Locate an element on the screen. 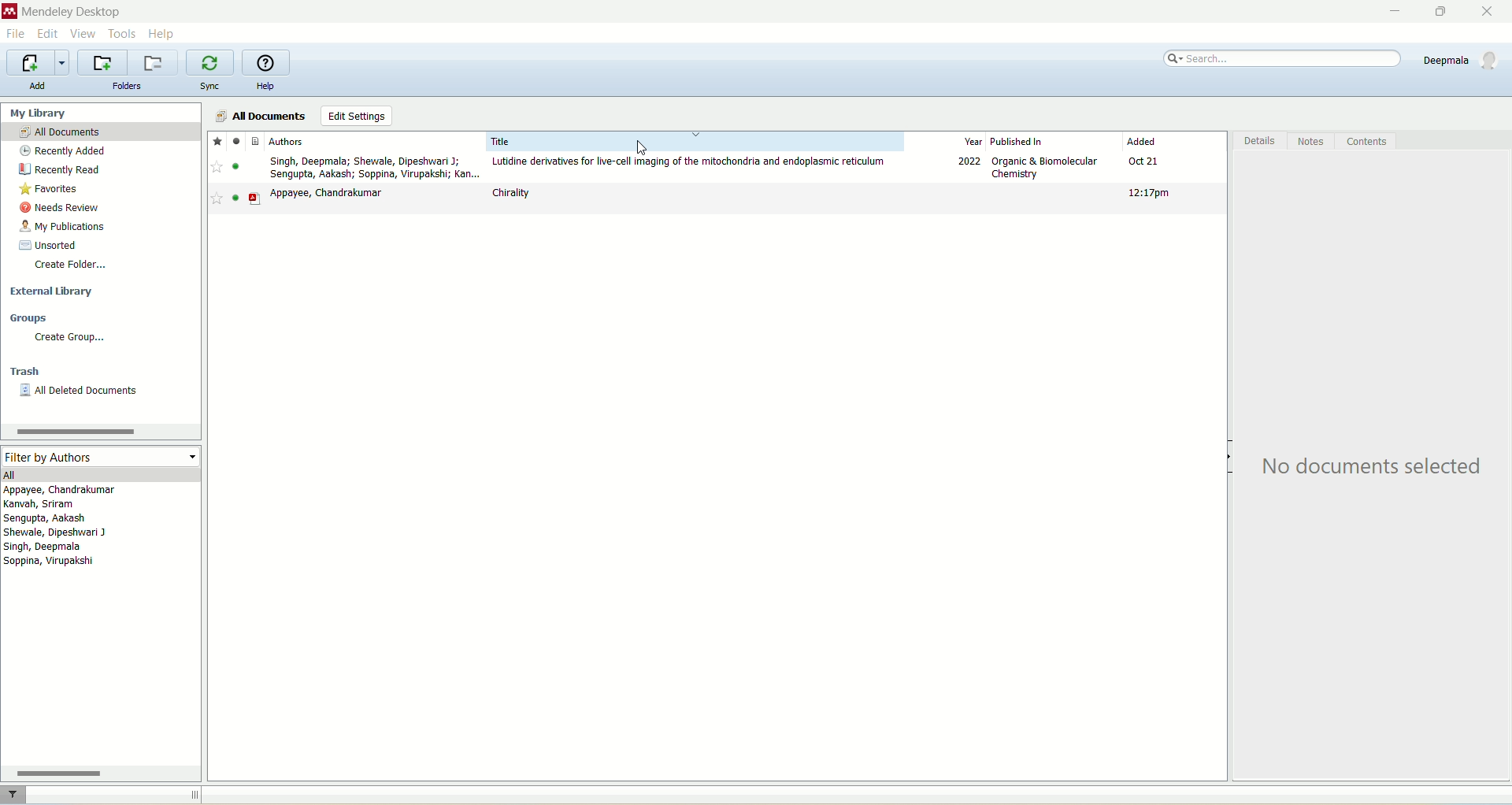 The image size is (1512, 805). view is located at coordinates (83, 33).